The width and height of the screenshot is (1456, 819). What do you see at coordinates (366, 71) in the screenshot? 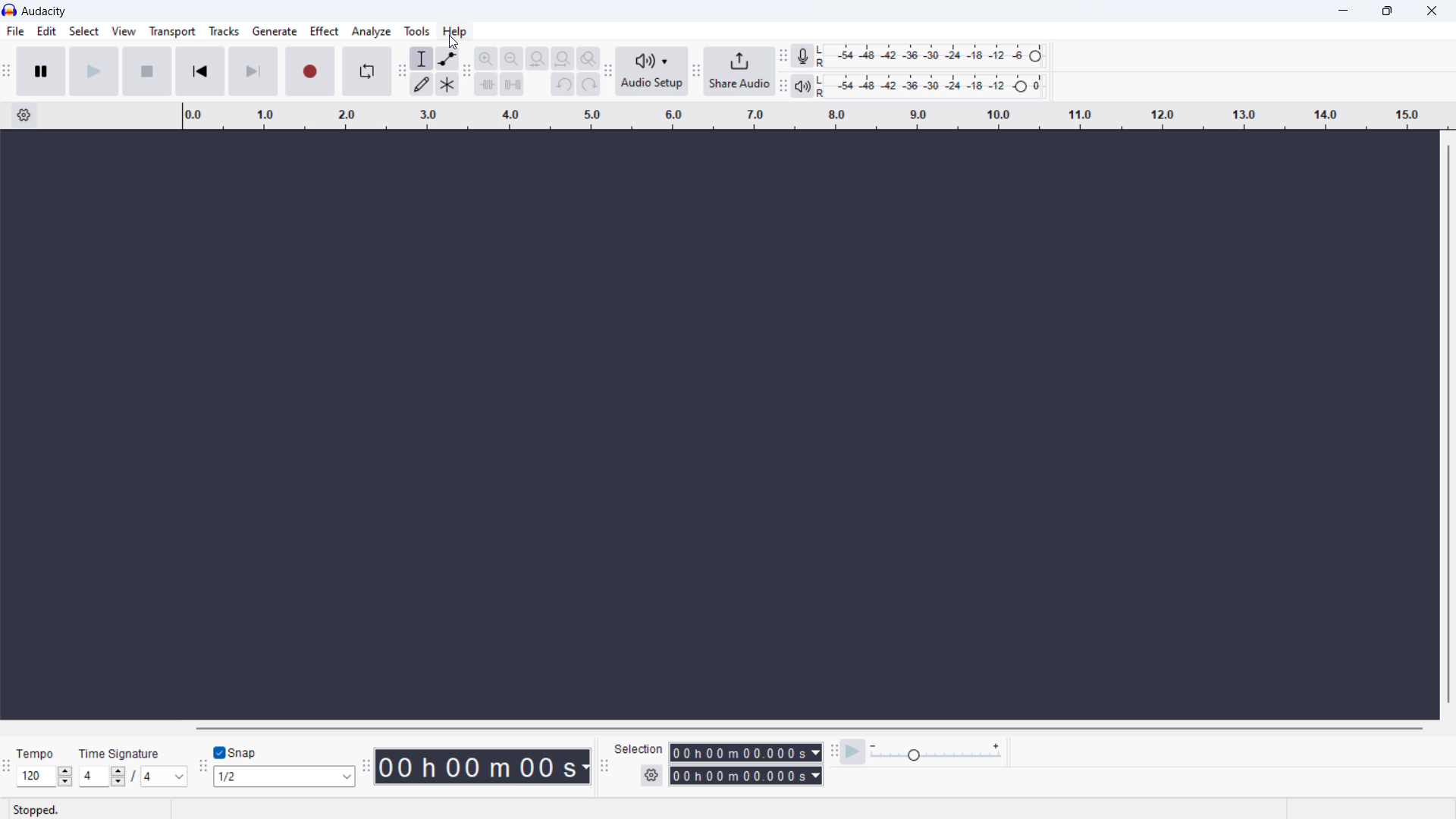
I see `enable loop` at bounding box center [366, 71].